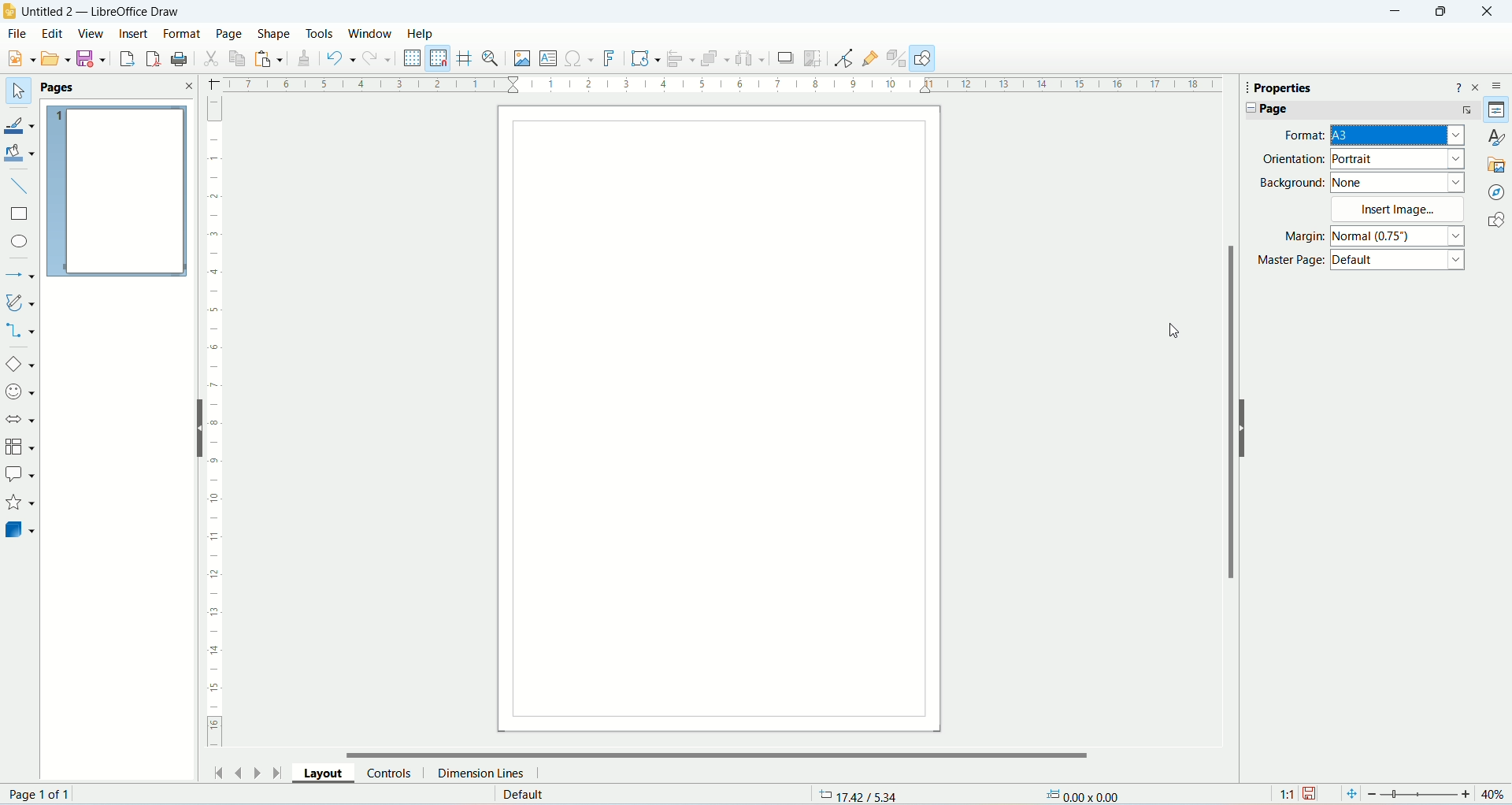 Image resolution: width=1512 pixels, height=805 pixels. I want to click on page, so click(229, 33).